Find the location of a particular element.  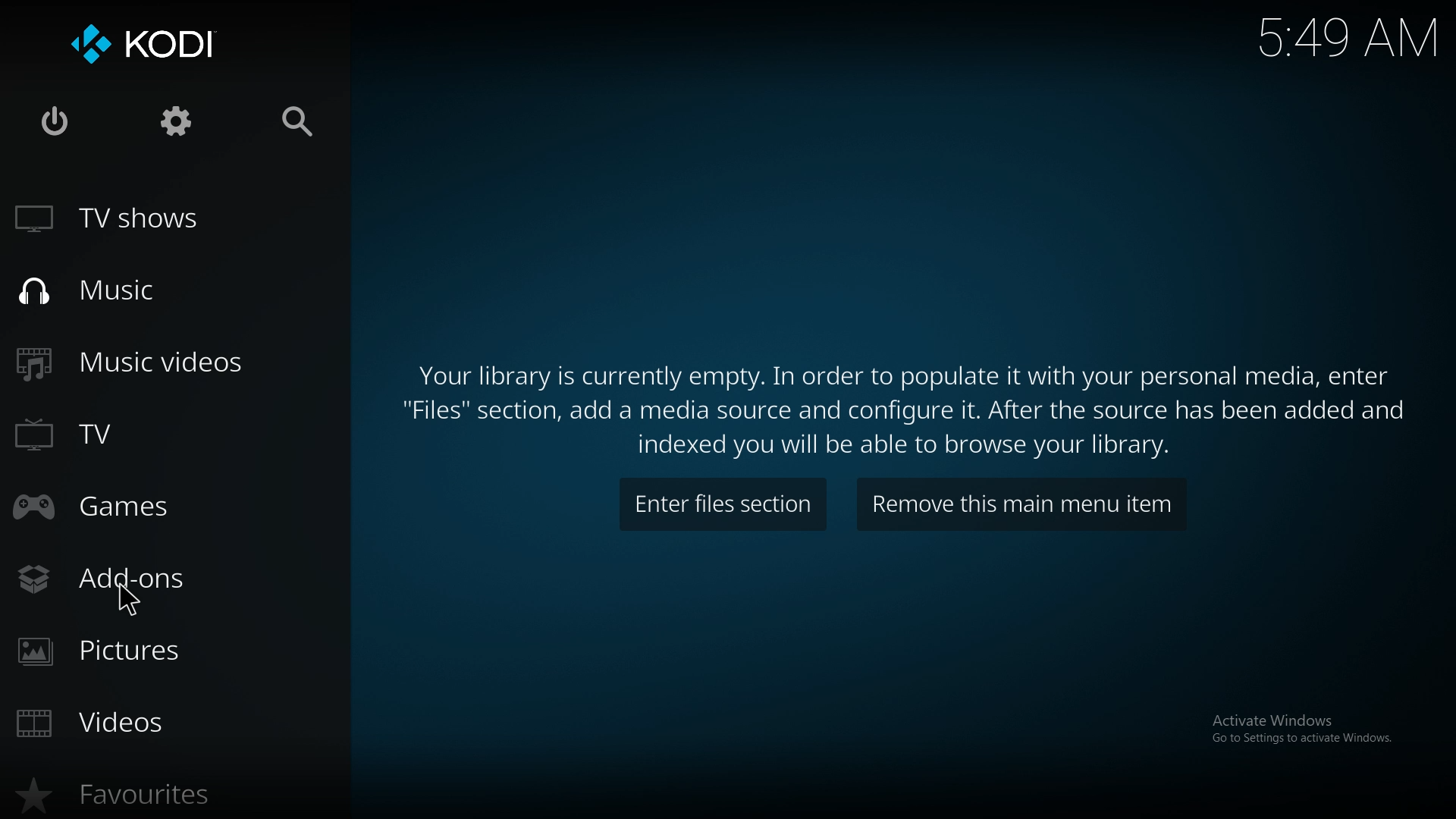

cursor is located at coordinates (132, 600).